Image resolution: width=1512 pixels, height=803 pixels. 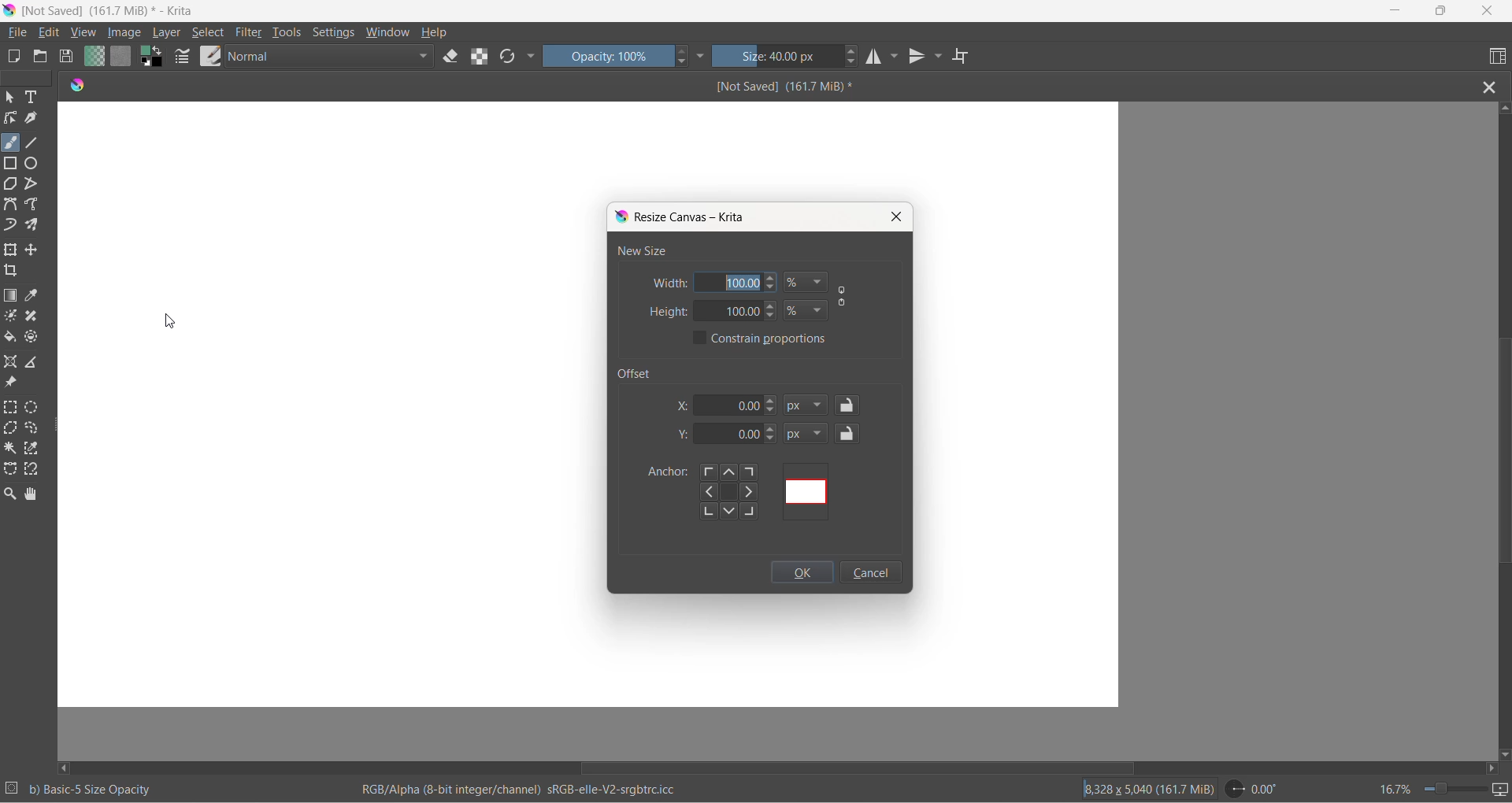 What do you see at coordinates (668, 312) in the screenshot?
I see `height` at bounding box center [668, 312].